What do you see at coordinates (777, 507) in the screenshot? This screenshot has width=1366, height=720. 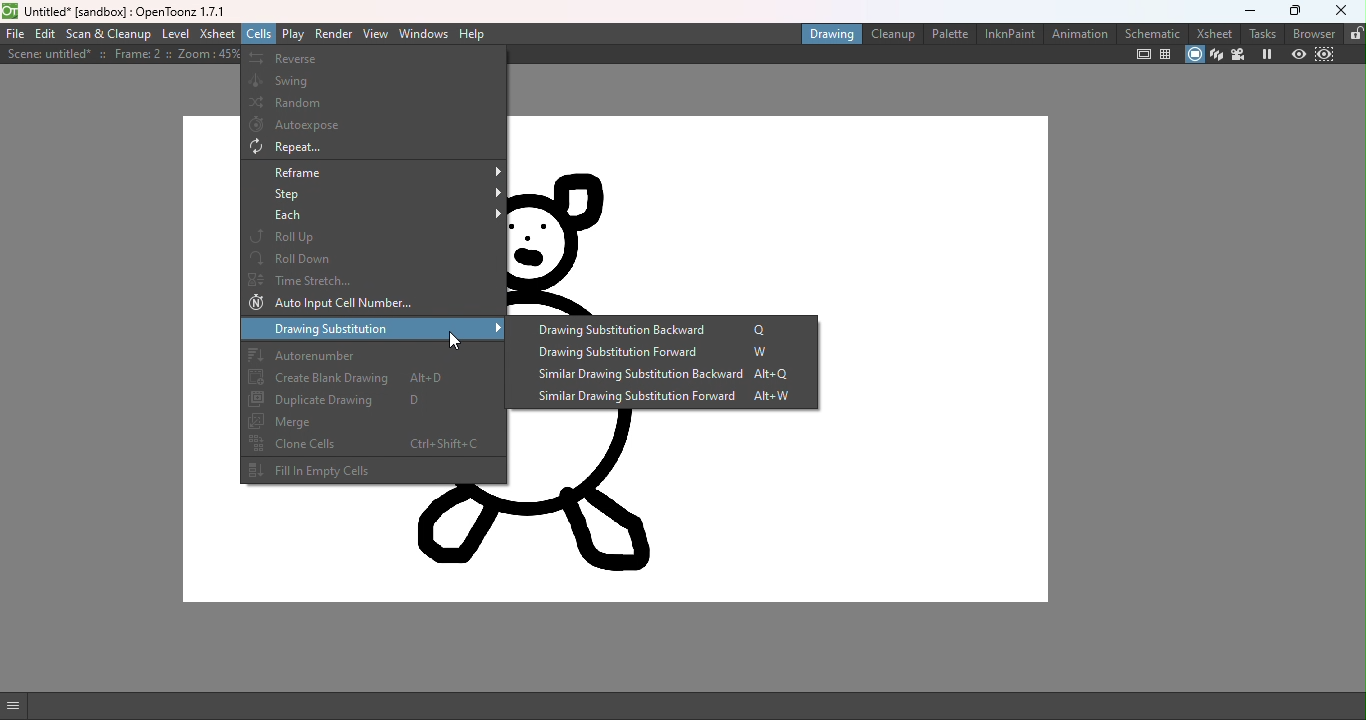 I see `canvas` at bounding box center [777, 507].